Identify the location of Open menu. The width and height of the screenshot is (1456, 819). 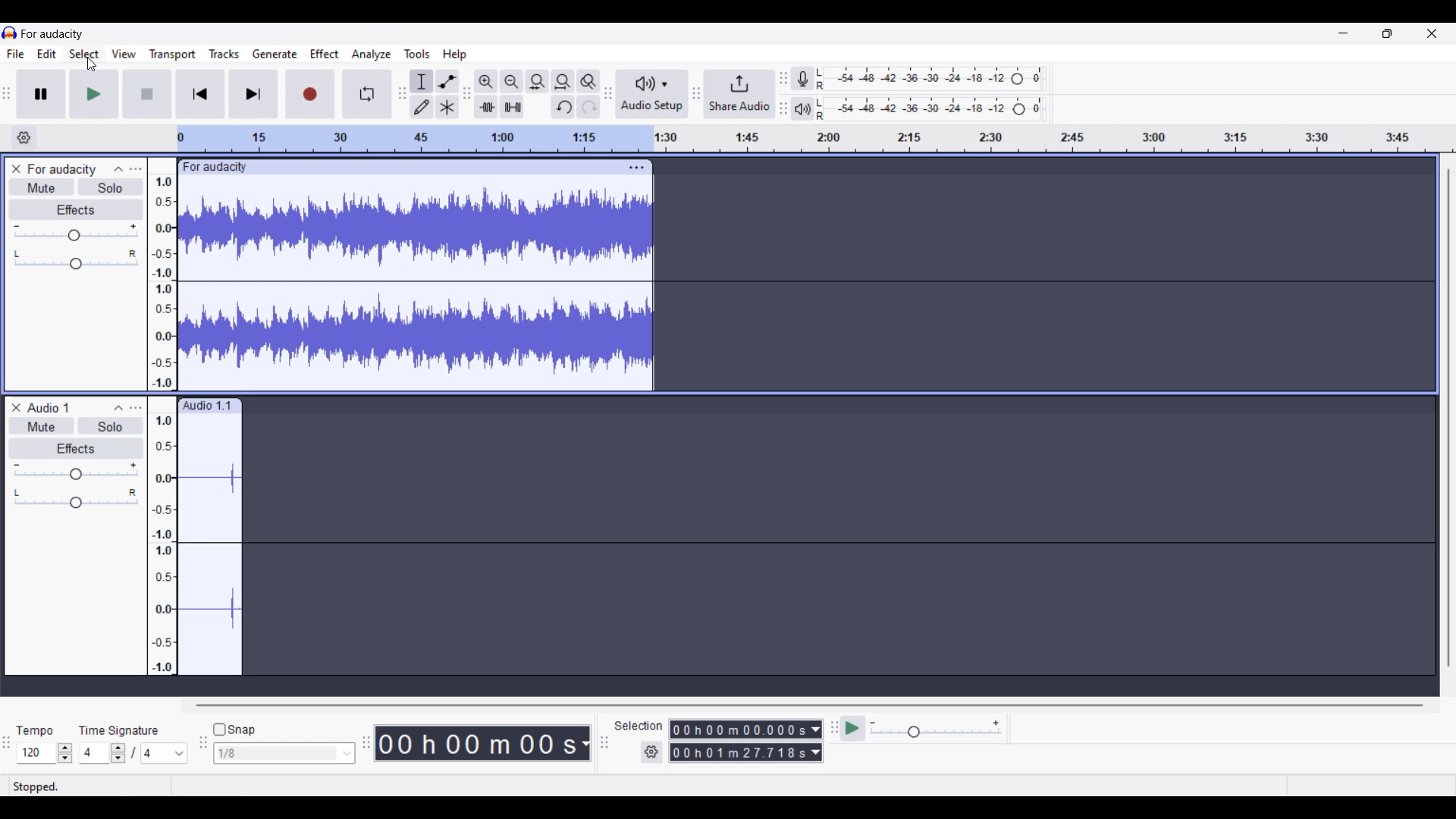
(135, 168).